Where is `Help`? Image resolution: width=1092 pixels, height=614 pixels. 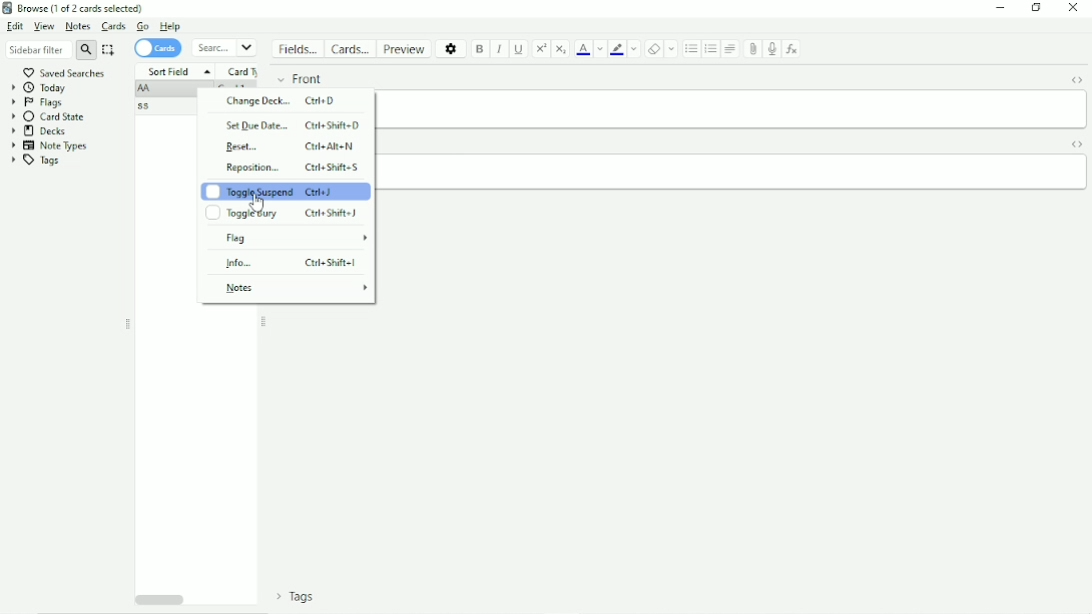
Help is located at coordinates (171, 26).